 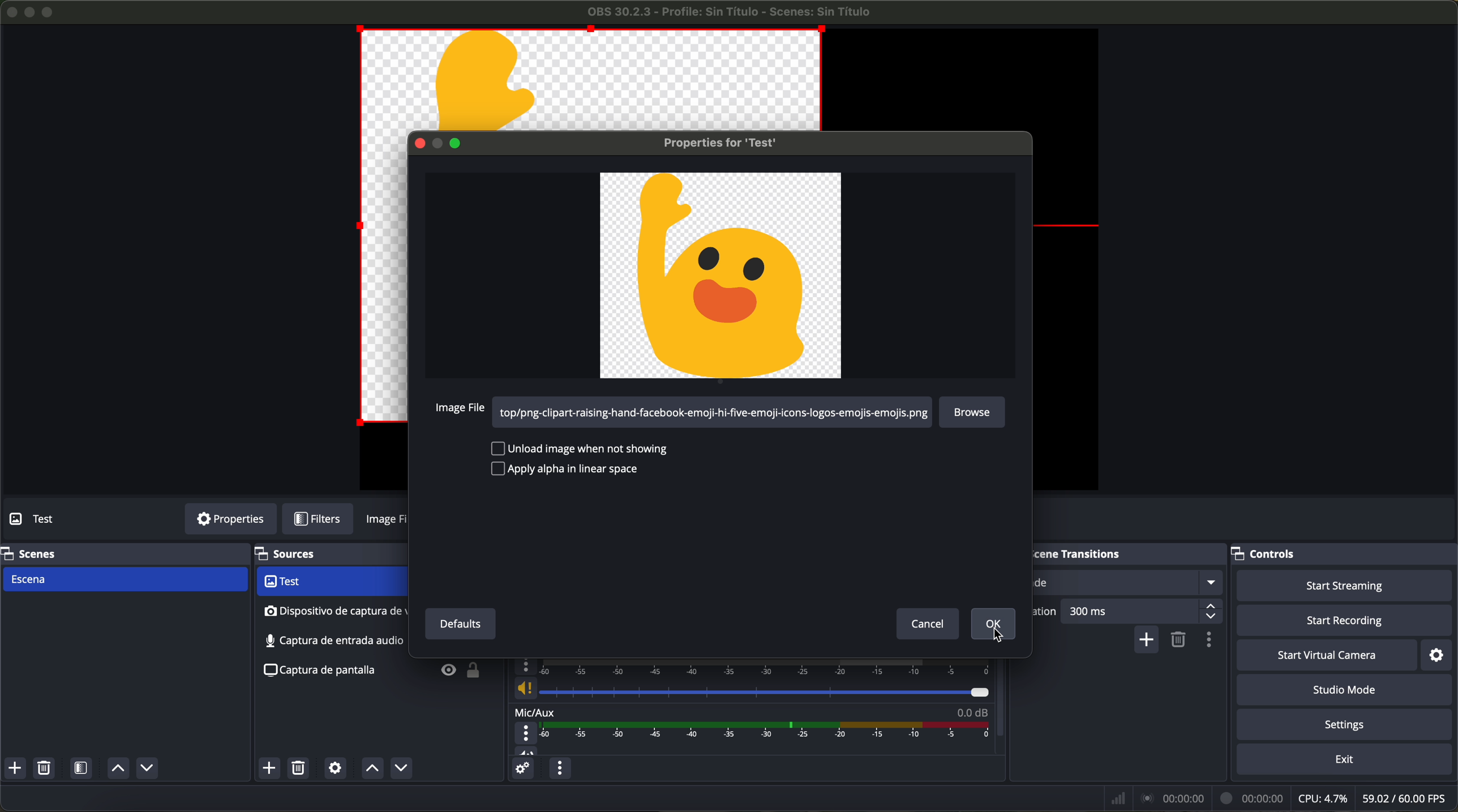 What do you see at coordinates (976, 411) in the screenshot?
I see `browse` at bounding box center [976, 411].